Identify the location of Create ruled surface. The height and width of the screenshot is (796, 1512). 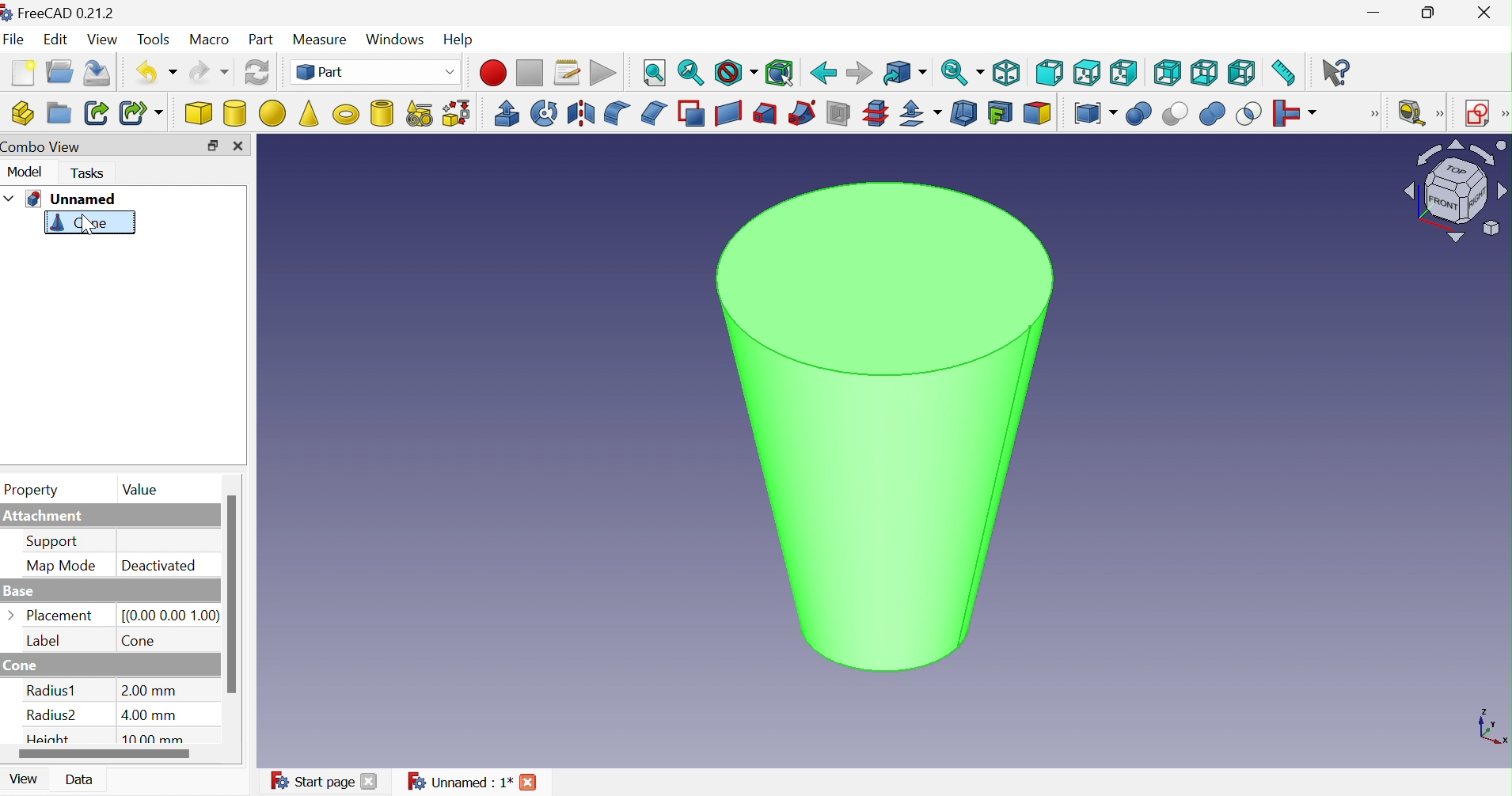
(728, 114).